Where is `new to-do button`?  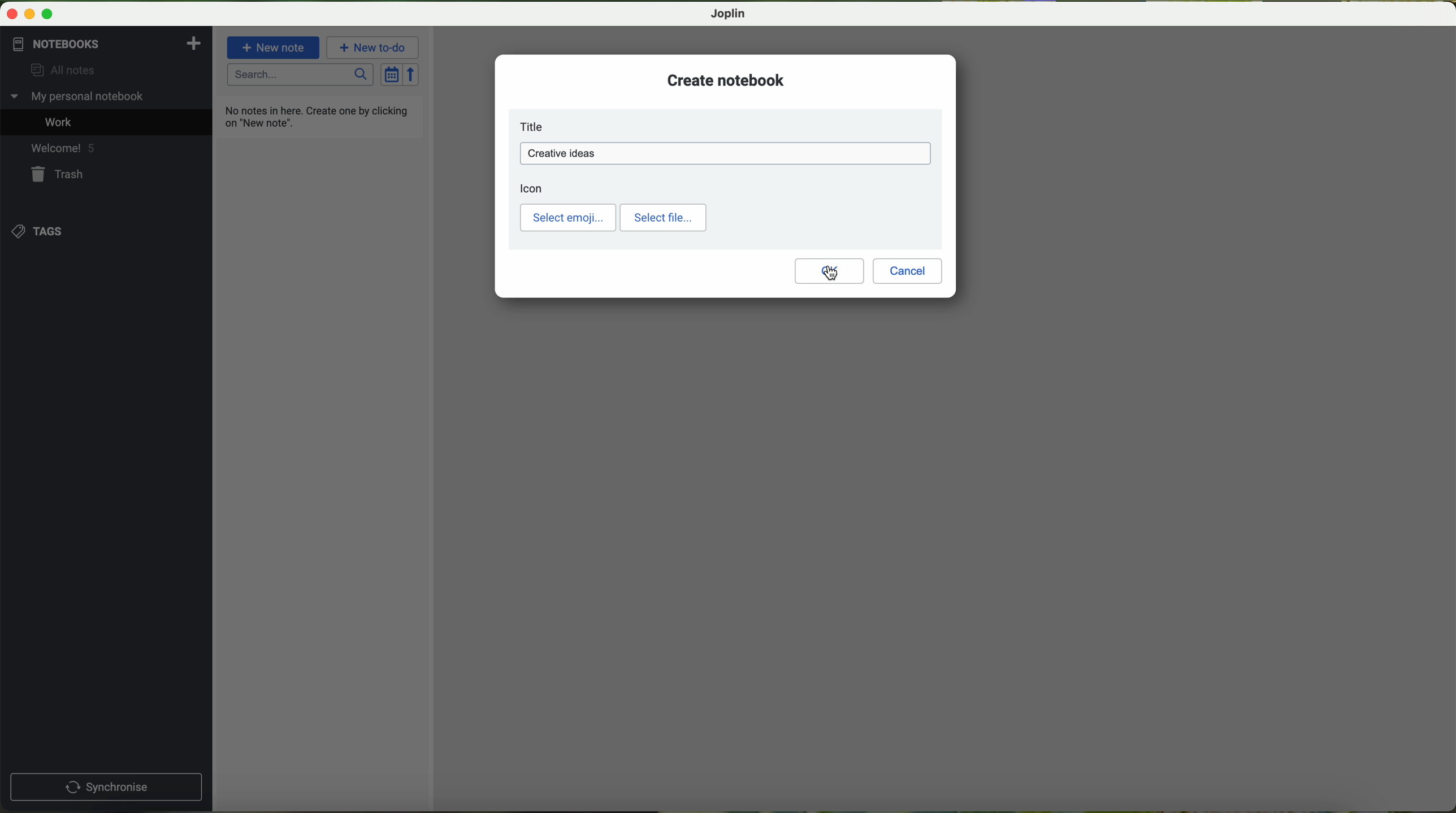 new to-do button is located at coordinates (374, 47).